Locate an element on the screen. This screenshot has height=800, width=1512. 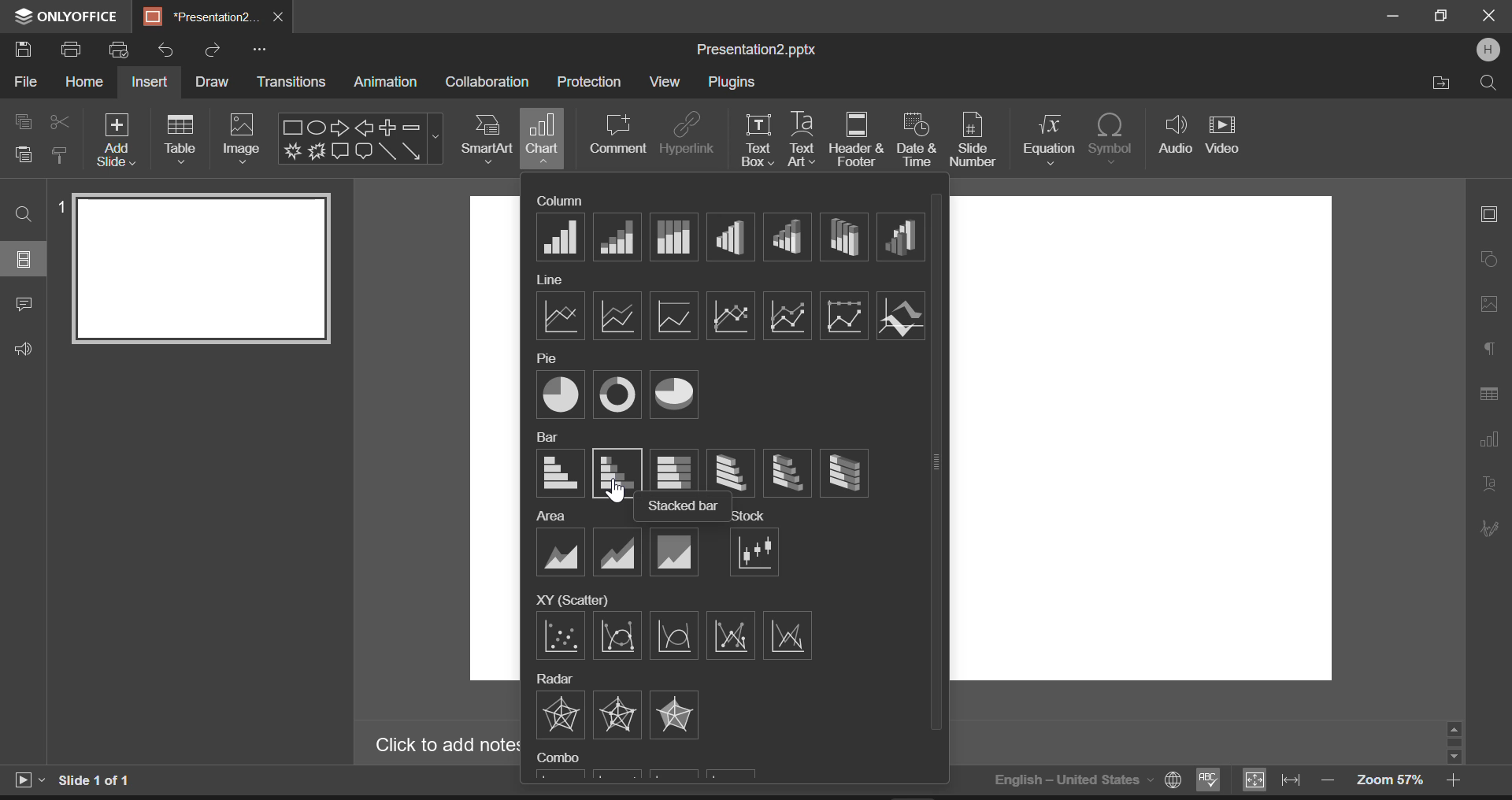
Video is located at coordinates (1223, 133).